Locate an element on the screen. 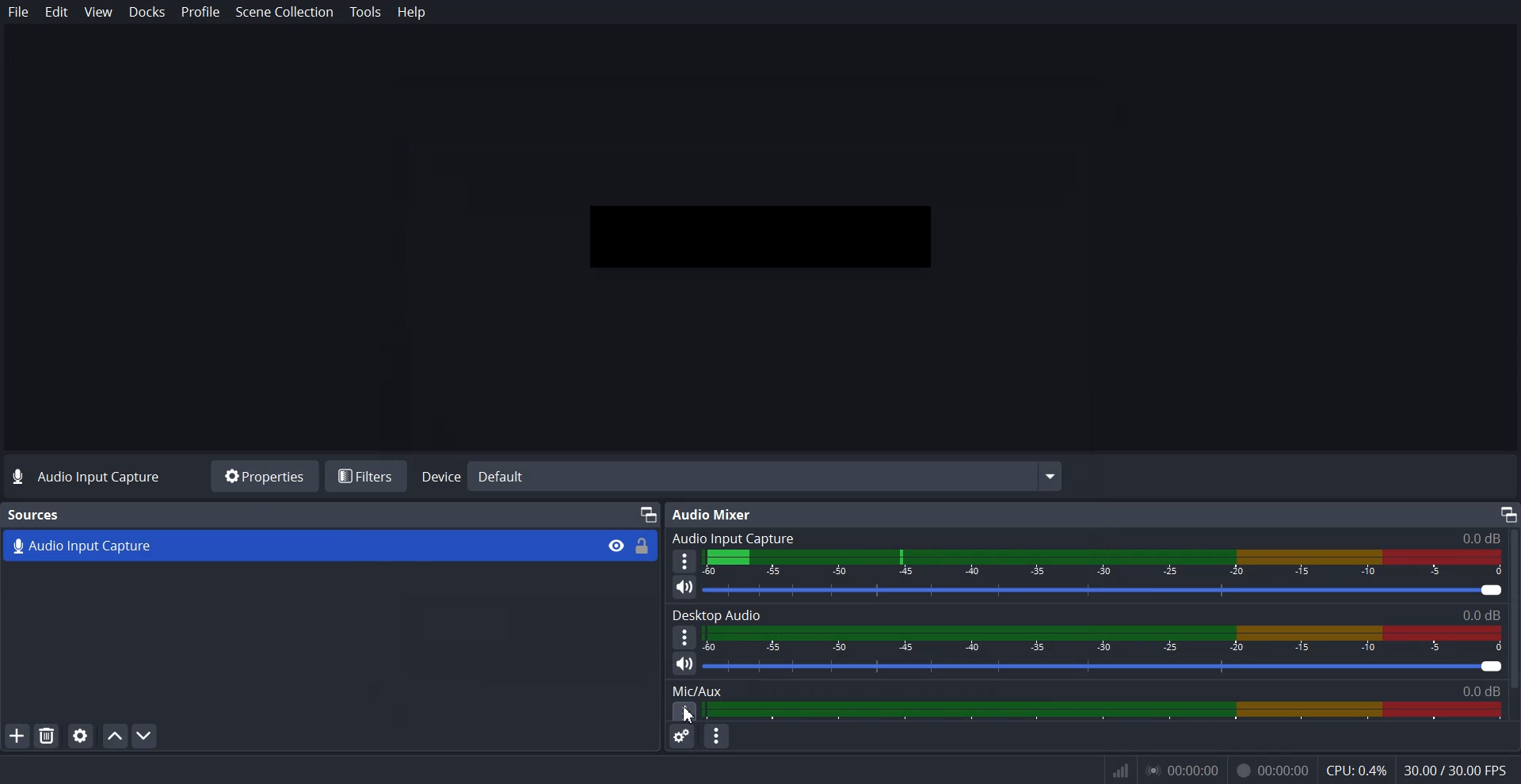 This screenshot has height=784, width=1521. Volume level adjuster is located at coordinates (1111, 668).